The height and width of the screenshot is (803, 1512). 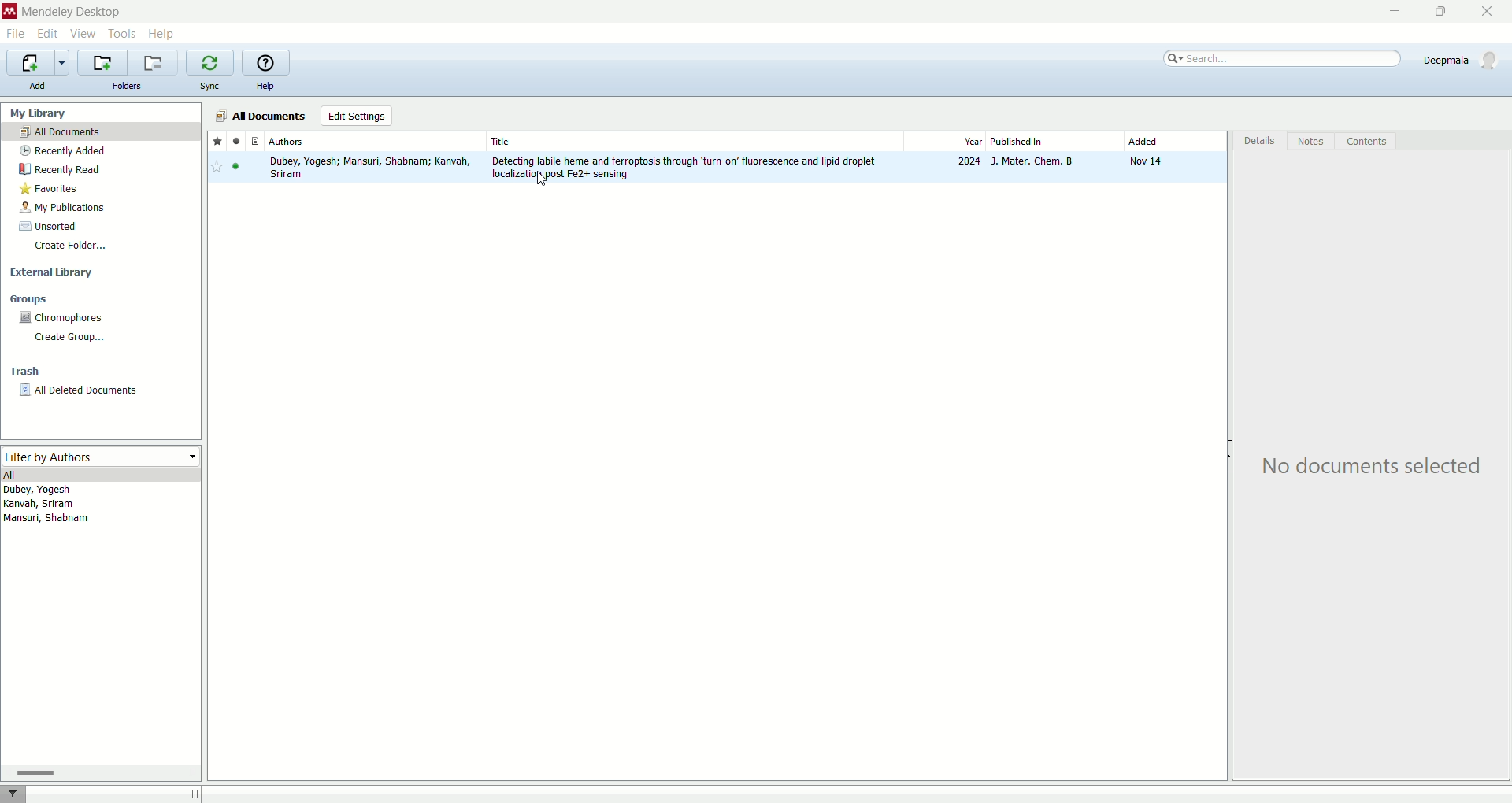 I want to click on kanvah, sriram, so click(x=39, y=505).